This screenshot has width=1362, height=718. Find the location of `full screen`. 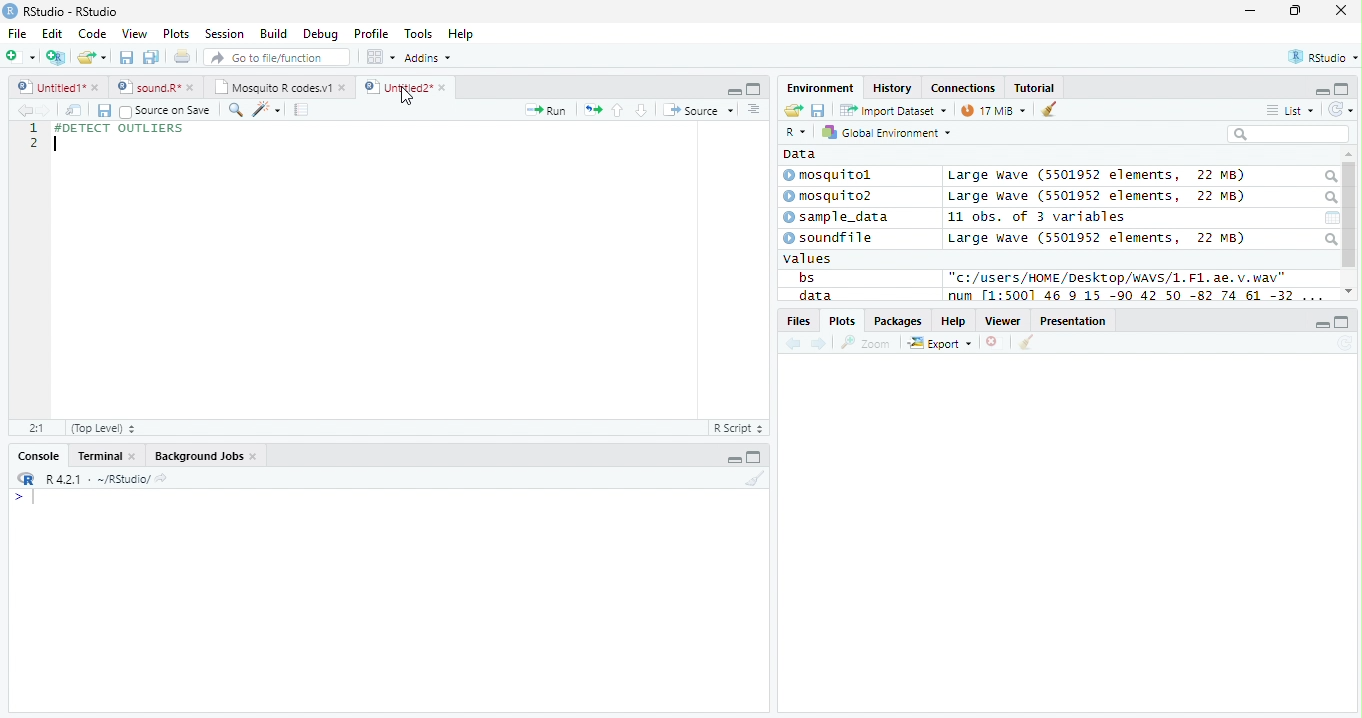

full screen is located at coordinates (1343, 322).